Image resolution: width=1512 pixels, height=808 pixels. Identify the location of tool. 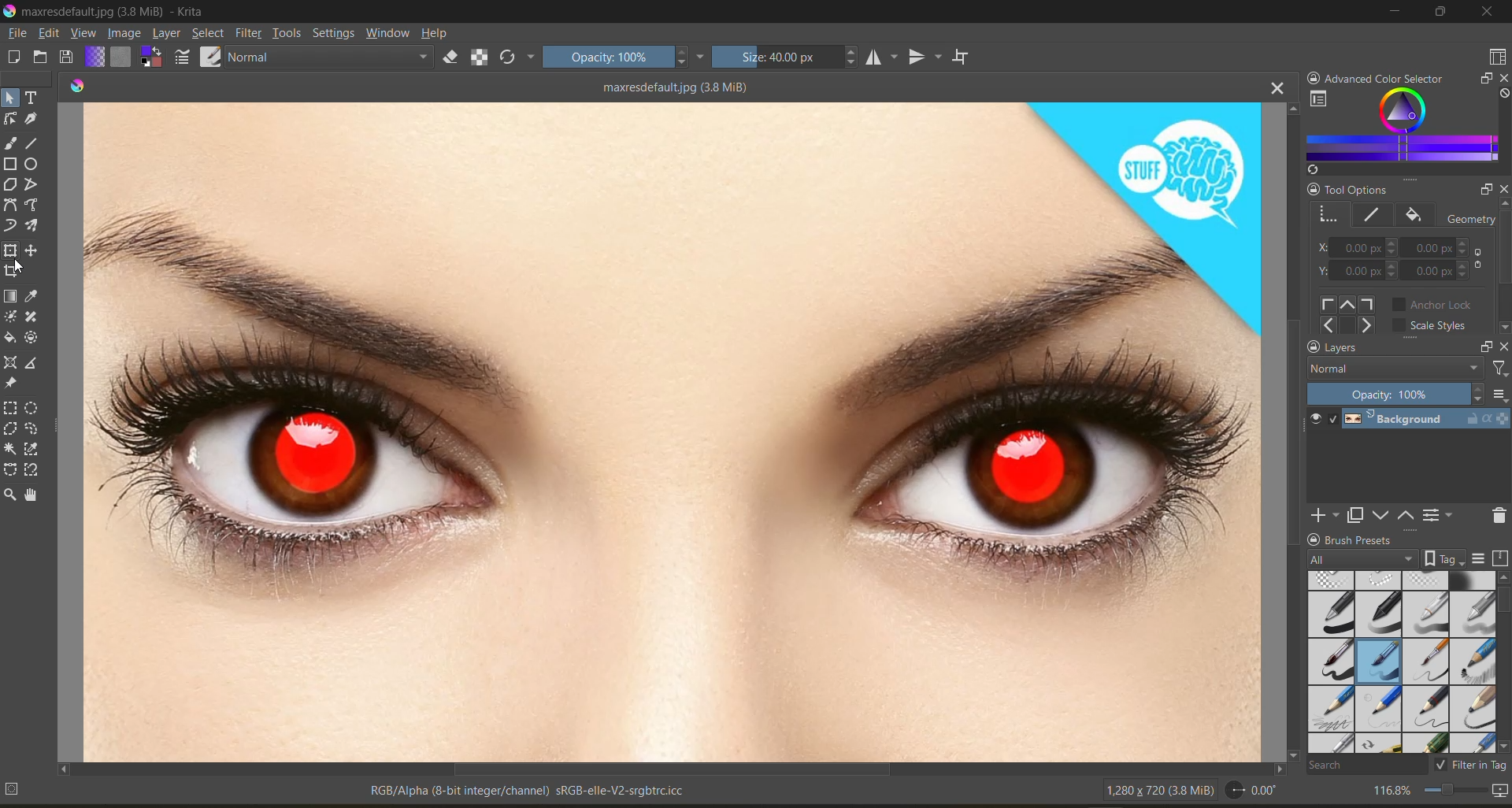
(12, 226).